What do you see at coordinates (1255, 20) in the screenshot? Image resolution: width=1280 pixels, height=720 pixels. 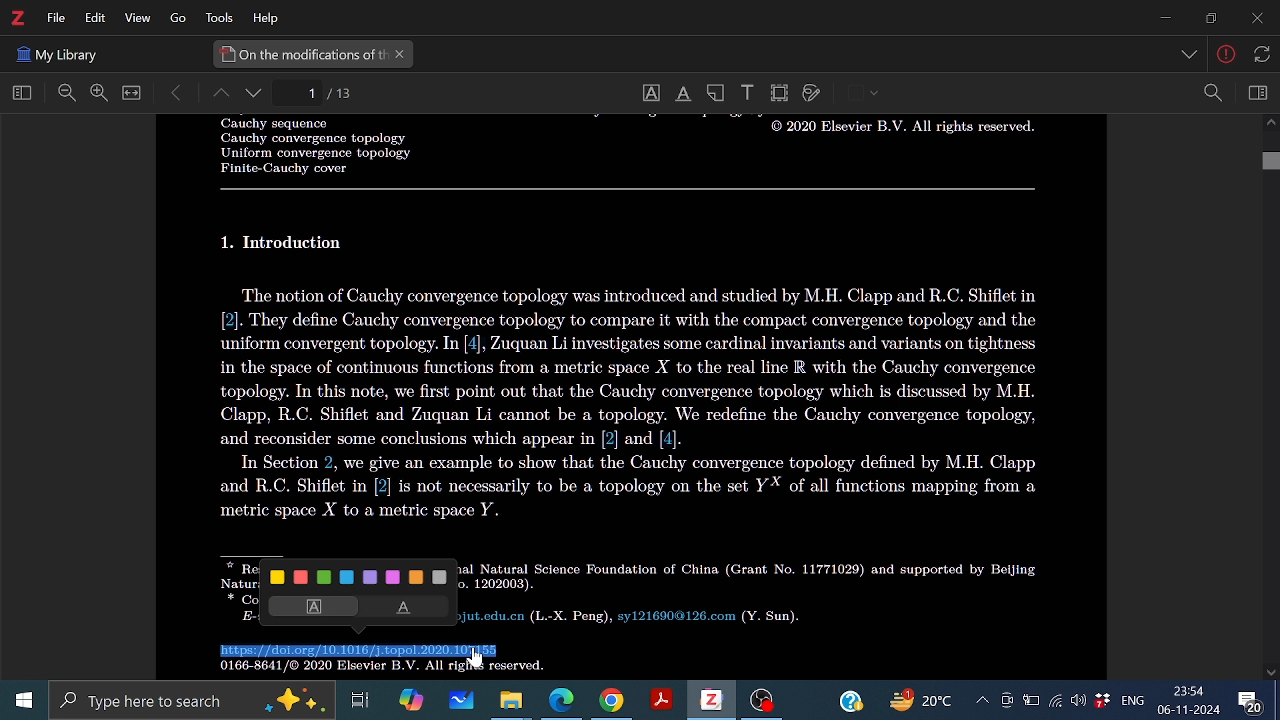 I see `Close` at bounding box center [1255, 20].